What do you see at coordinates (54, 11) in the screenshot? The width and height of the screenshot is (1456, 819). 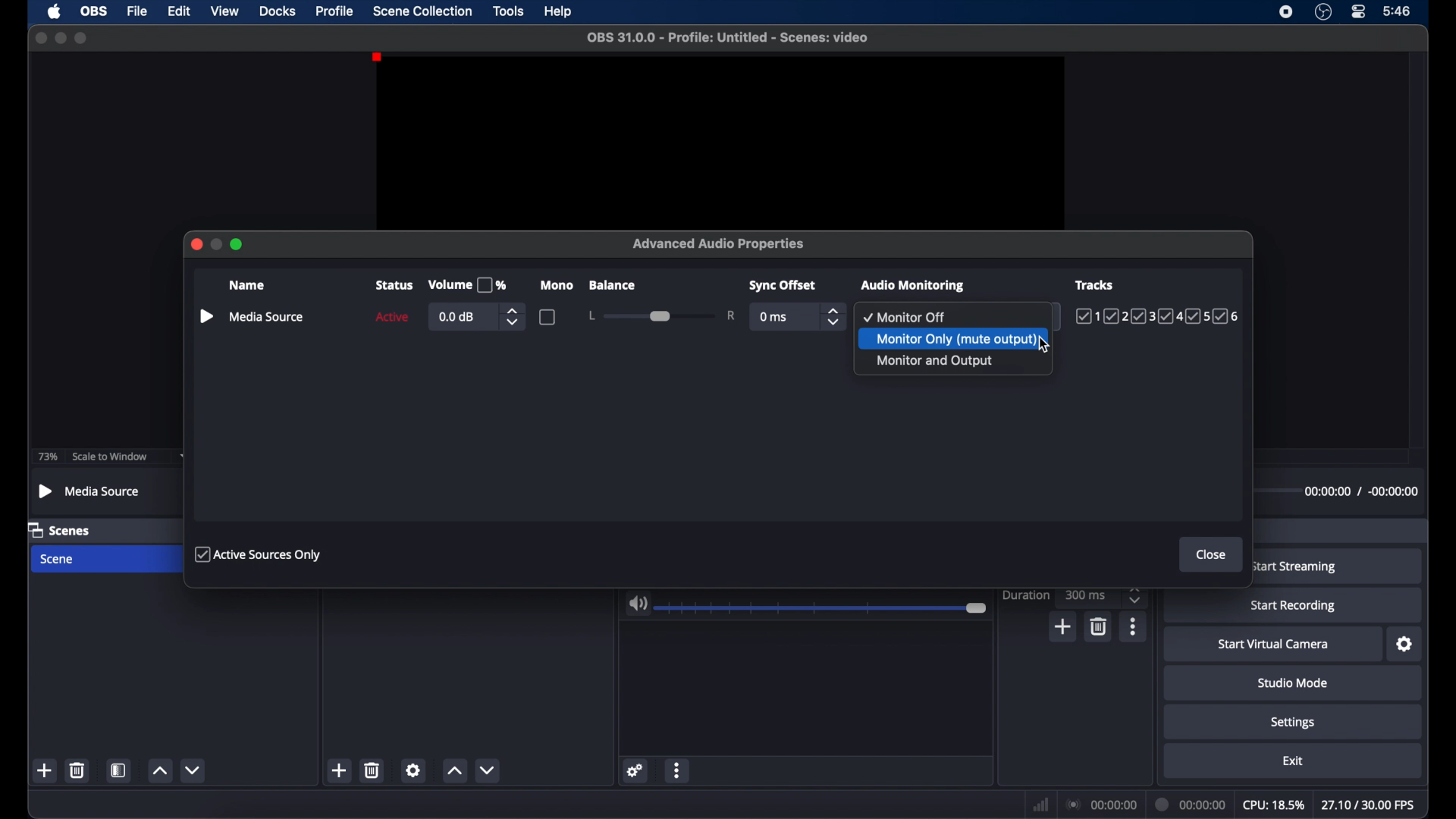 I see `apple icon` at bounding box center [54, 11].